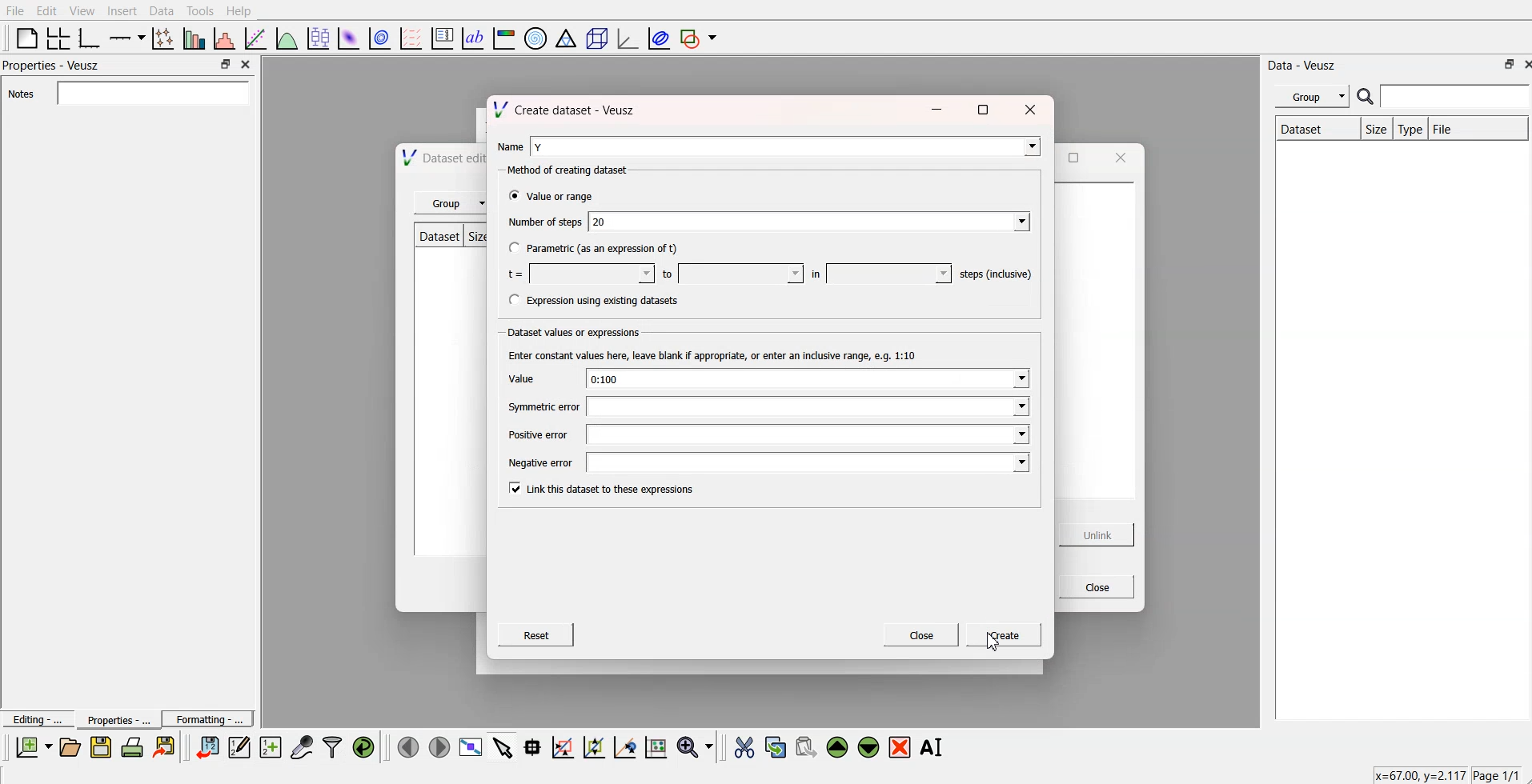 This screenshot has height=784, width=1532. I want to click on maximize, so click(985, 109).